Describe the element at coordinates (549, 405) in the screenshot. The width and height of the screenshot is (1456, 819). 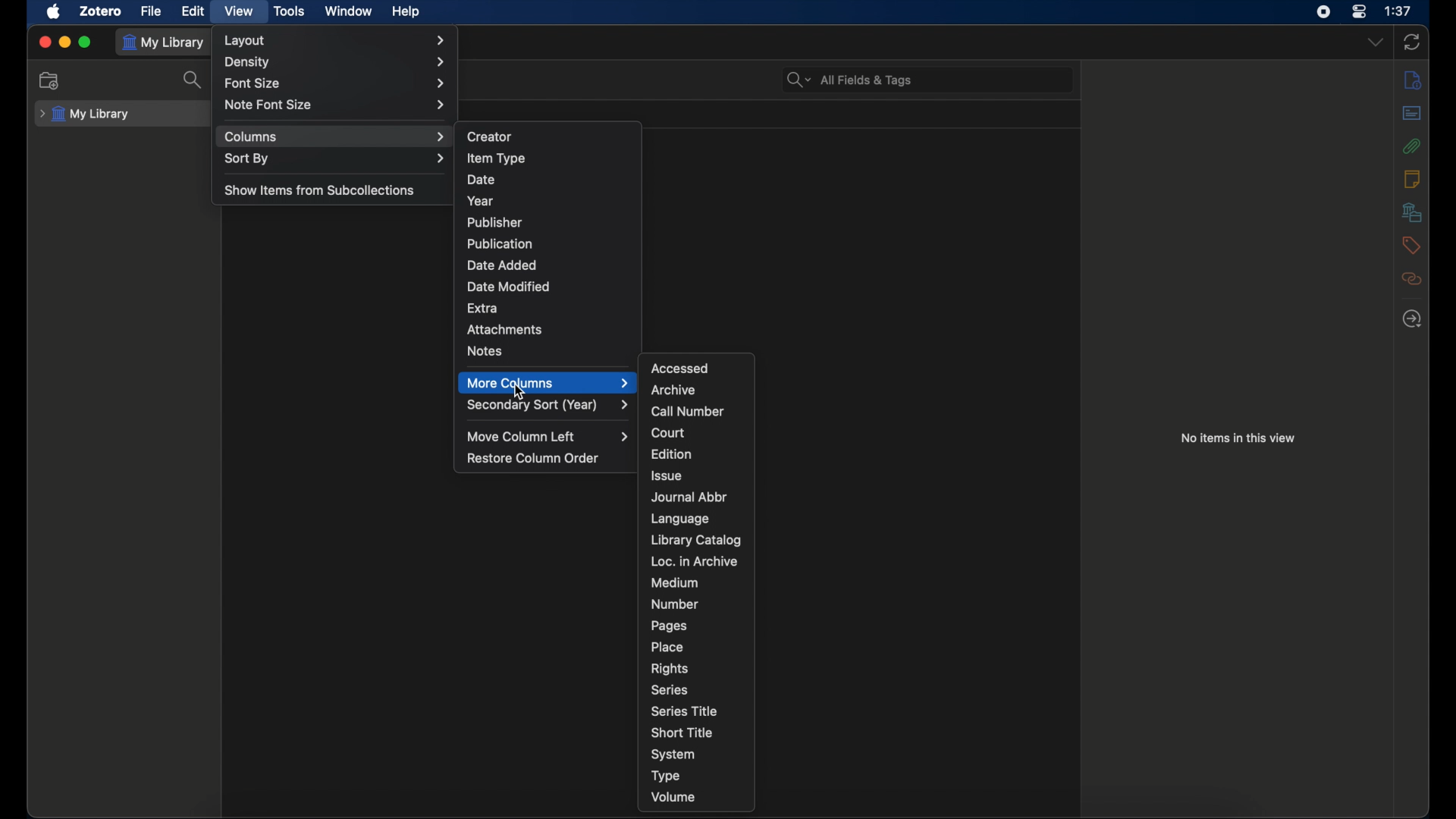
I see `secondary sort` at that location.